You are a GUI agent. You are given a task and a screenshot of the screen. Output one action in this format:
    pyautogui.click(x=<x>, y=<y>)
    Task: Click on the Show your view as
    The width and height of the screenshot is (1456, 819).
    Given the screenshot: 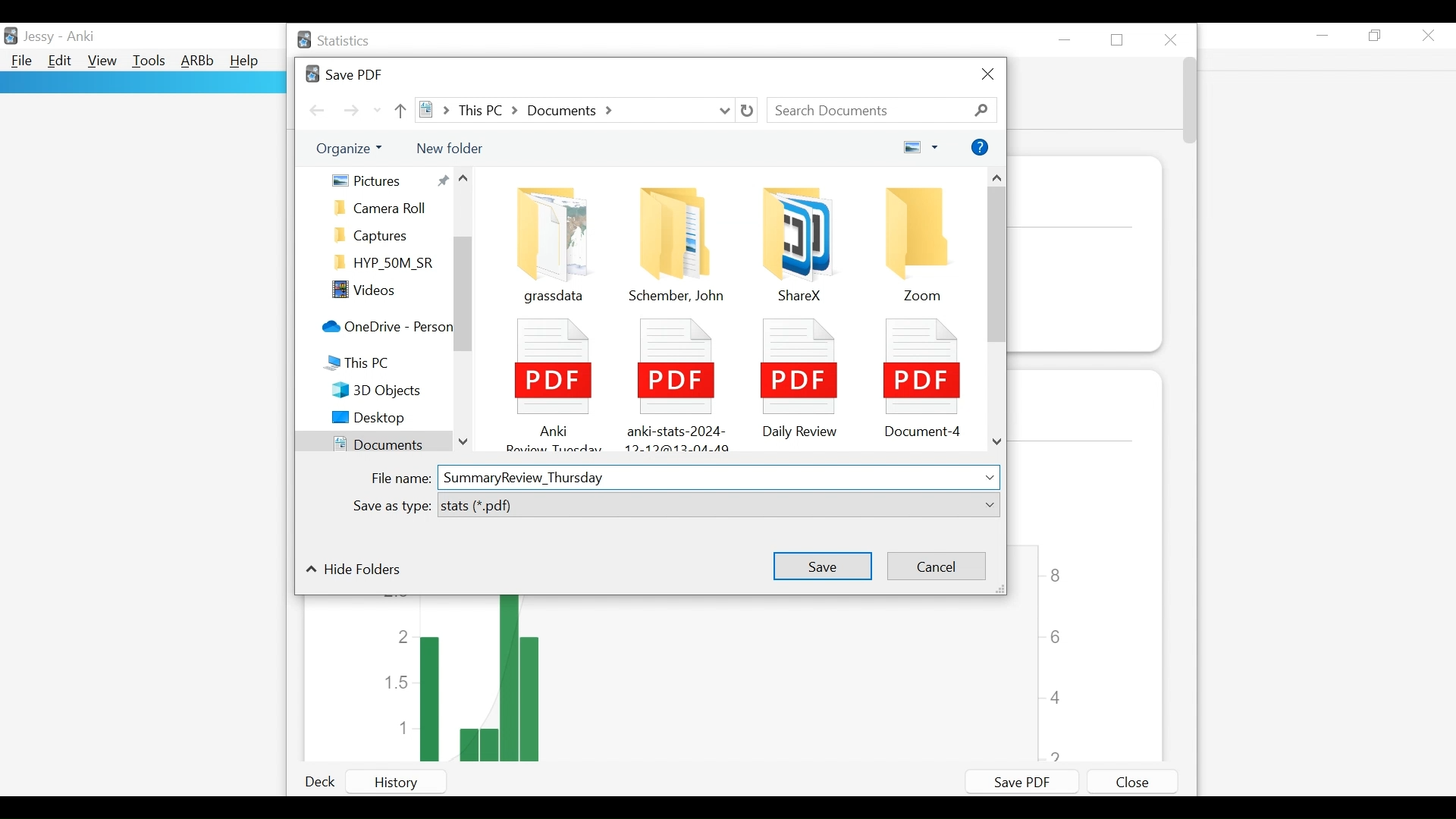 What is the action you would take?
    pyautogui.click(x=921, y=149)
    